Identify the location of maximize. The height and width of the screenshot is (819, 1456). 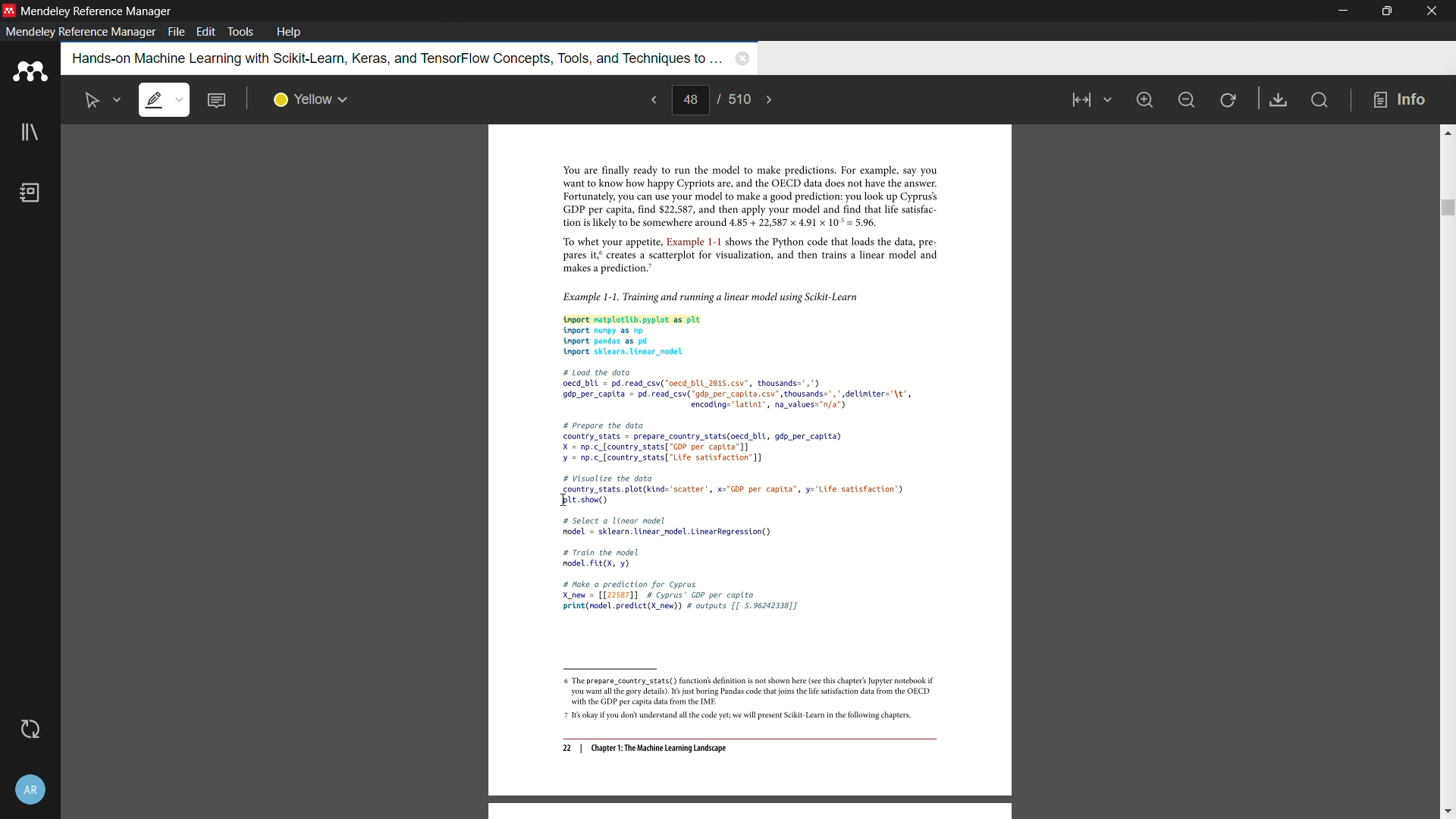
(1384, 11).